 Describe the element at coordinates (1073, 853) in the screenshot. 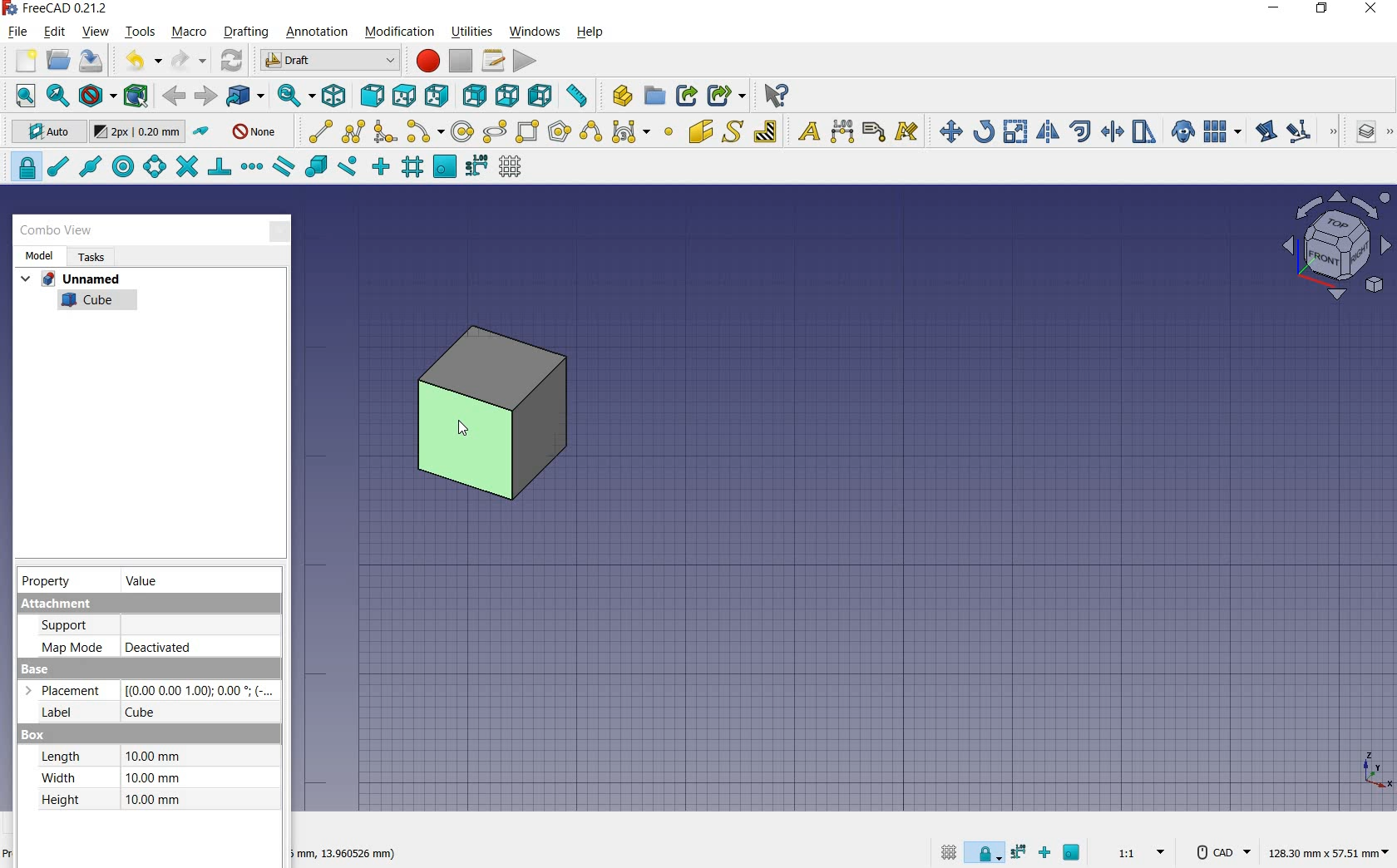

I see `snap working plane` at that location.